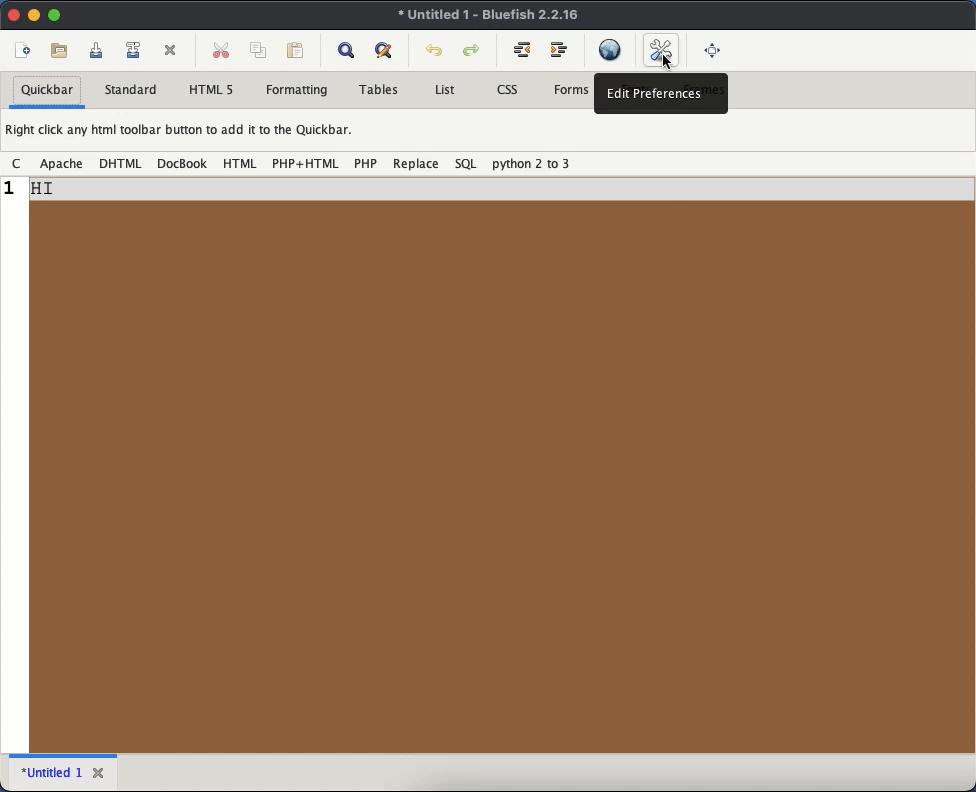 The height and width of the screenshot is (792, 976). I want to click on minimize, so click(34, 14).